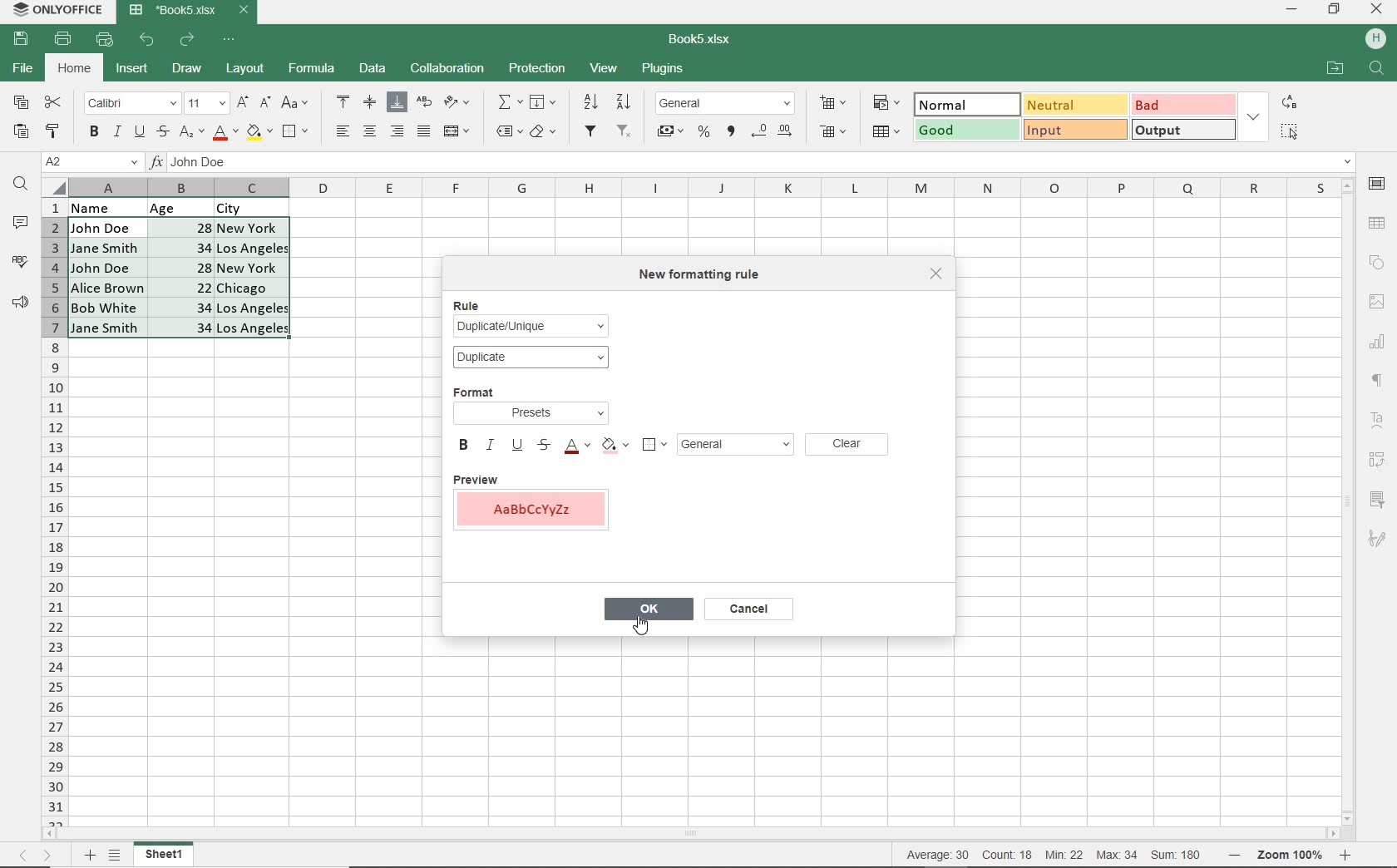  I want to click on Zoom in or Zoom our, so click(1295, 855).